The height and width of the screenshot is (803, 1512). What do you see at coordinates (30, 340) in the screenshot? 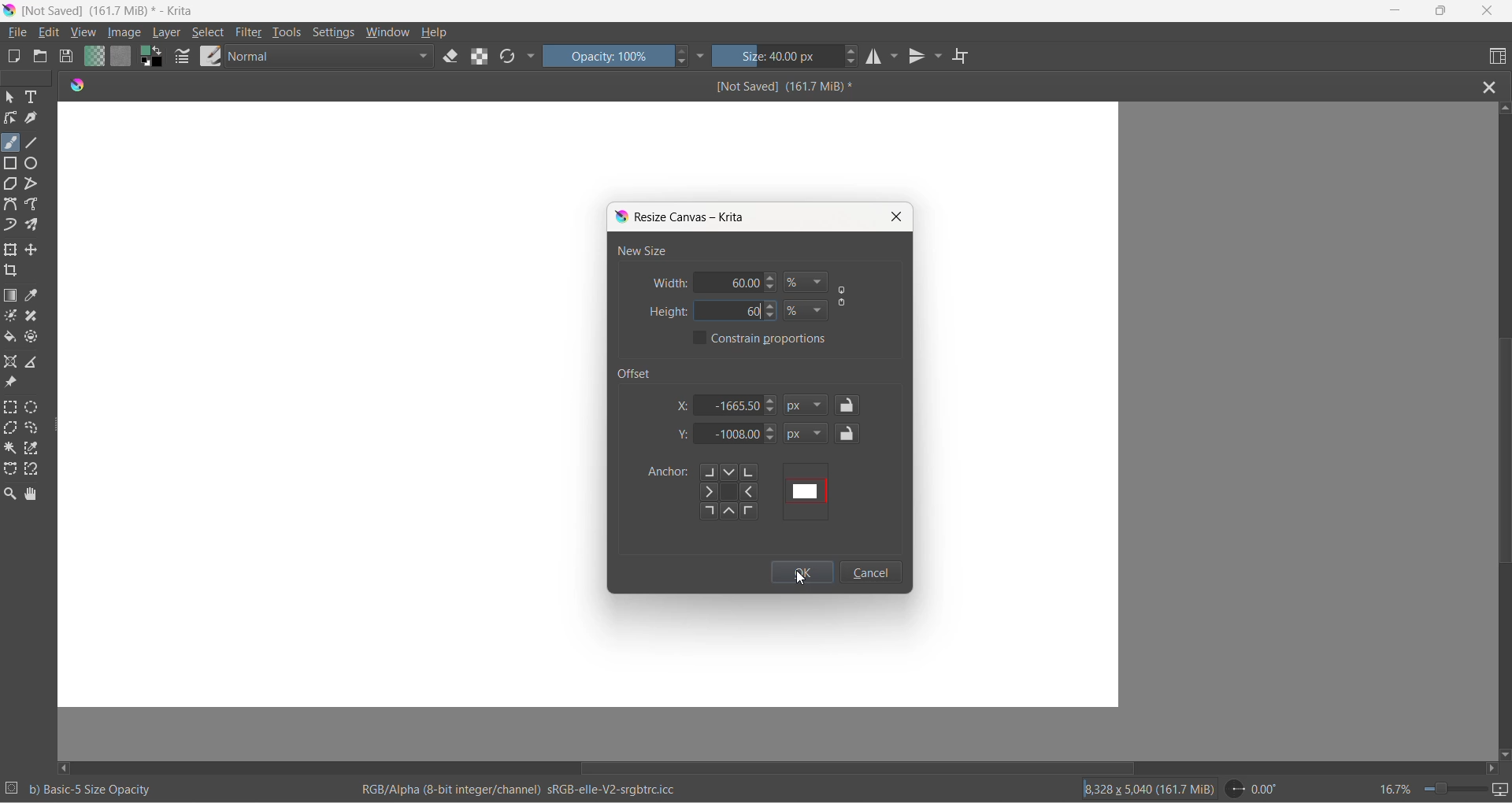
I see `enclose and fill tool` at bounding box center [30, 340].